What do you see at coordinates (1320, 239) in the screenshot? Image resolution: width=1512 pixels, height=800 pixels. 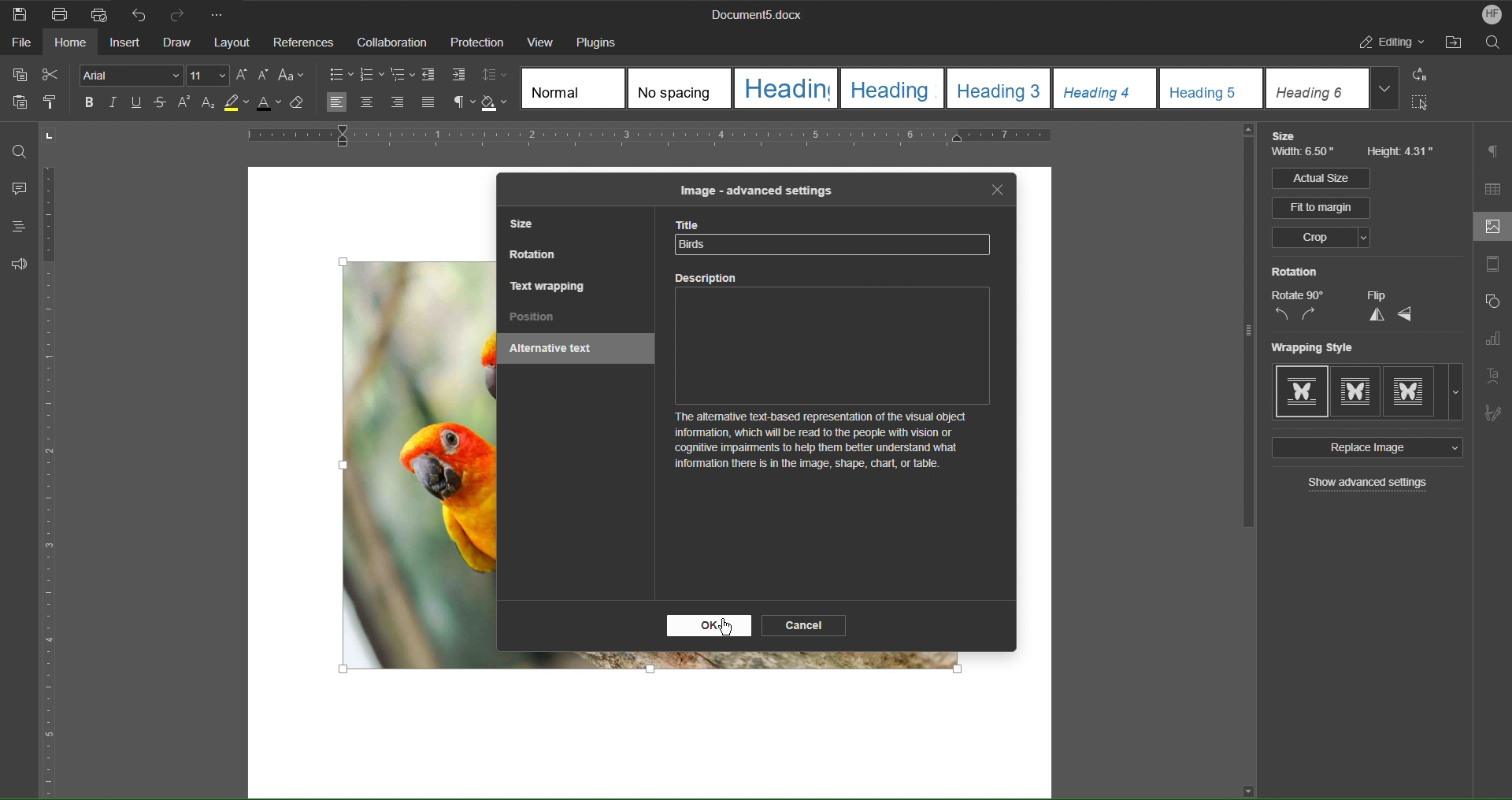 I see `Crop` at bounding box center [1320, 239].